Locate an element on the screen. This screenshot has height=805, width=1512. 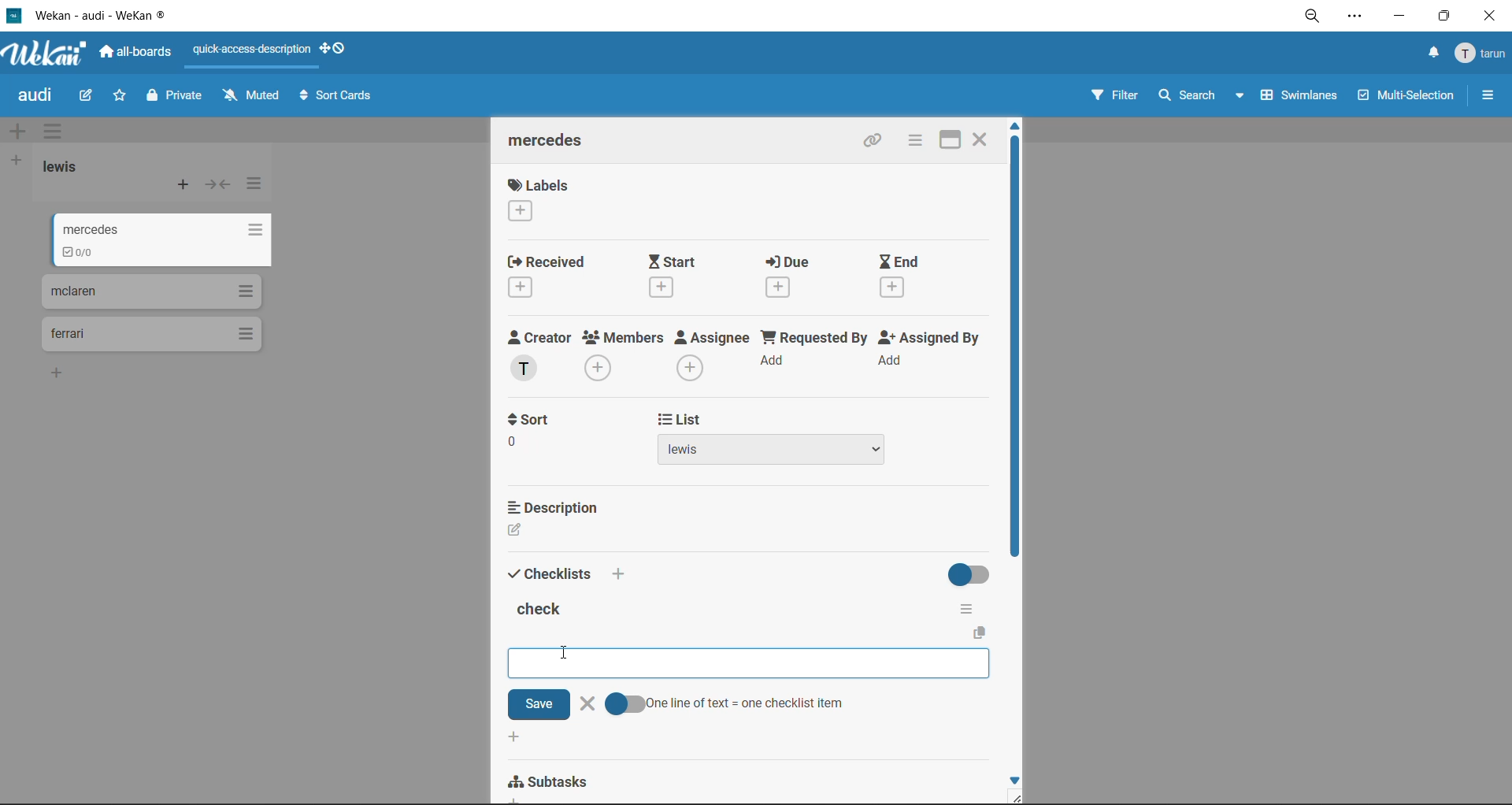
app titlew is located at coordinates (124, 18).